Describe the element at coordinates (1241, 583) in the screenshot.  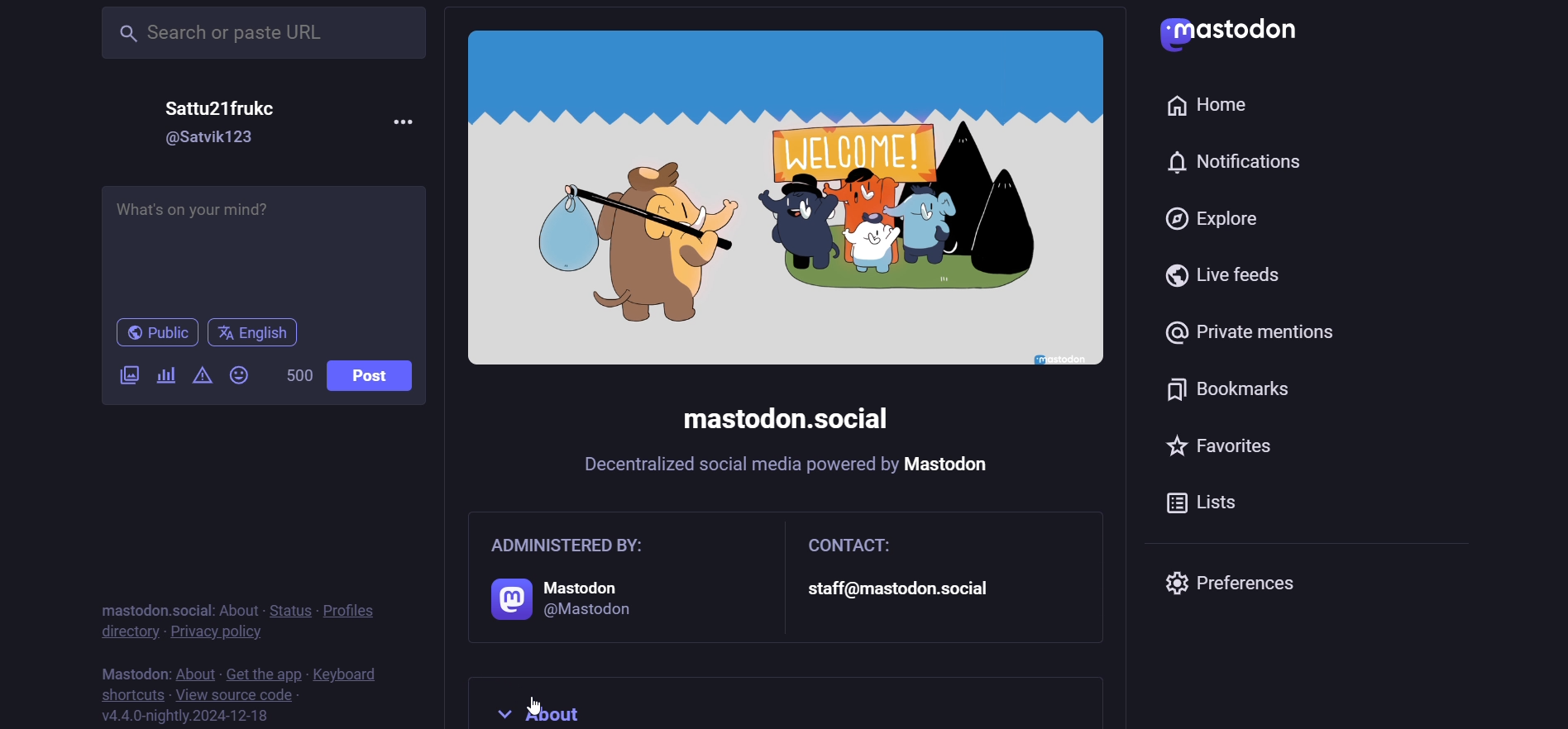
I see `preferences` at that location.